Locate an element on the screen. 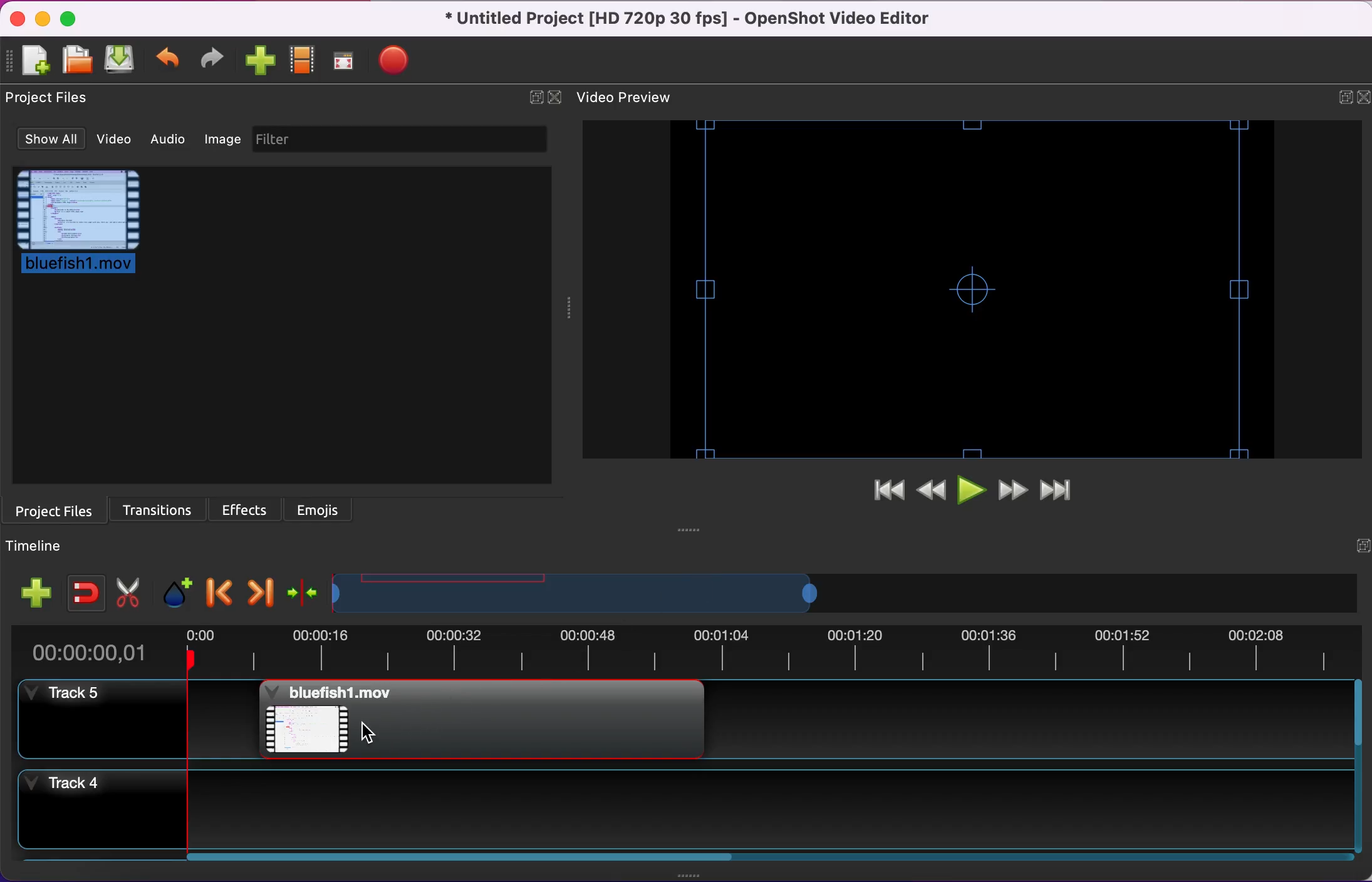 This screenshot has width=1372, height=882. show all is located at coordinates (44, 139).